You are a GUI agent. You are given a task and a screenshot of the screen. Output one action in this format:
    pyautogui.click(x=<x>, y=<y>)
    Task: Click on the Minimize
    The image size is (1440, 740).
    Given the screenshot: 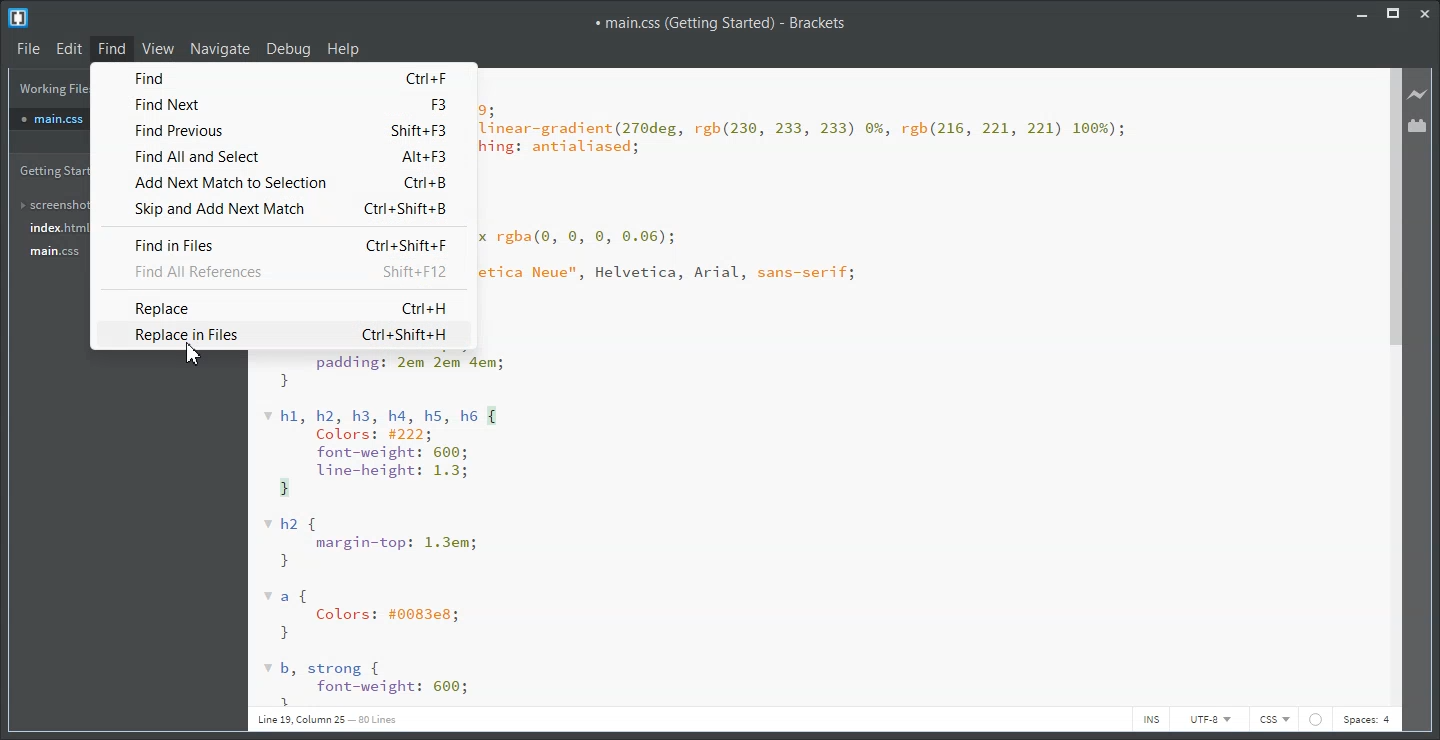 What is the action you would take?
    pyautogui.click(x=1361, y=13)
    